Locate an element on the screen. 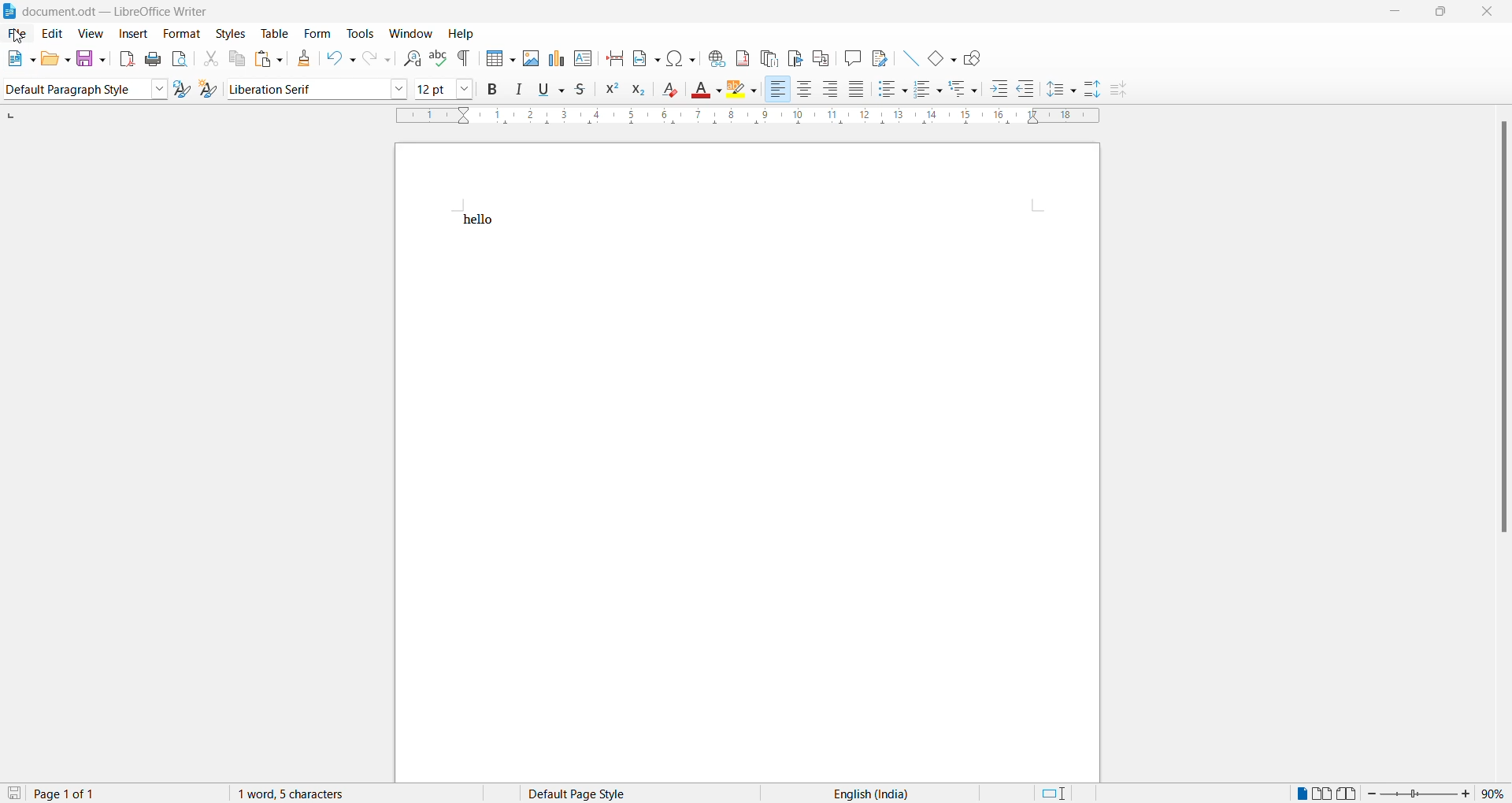 The image size is (1512, 803). Increase indent is located at coordinates (999, 88).